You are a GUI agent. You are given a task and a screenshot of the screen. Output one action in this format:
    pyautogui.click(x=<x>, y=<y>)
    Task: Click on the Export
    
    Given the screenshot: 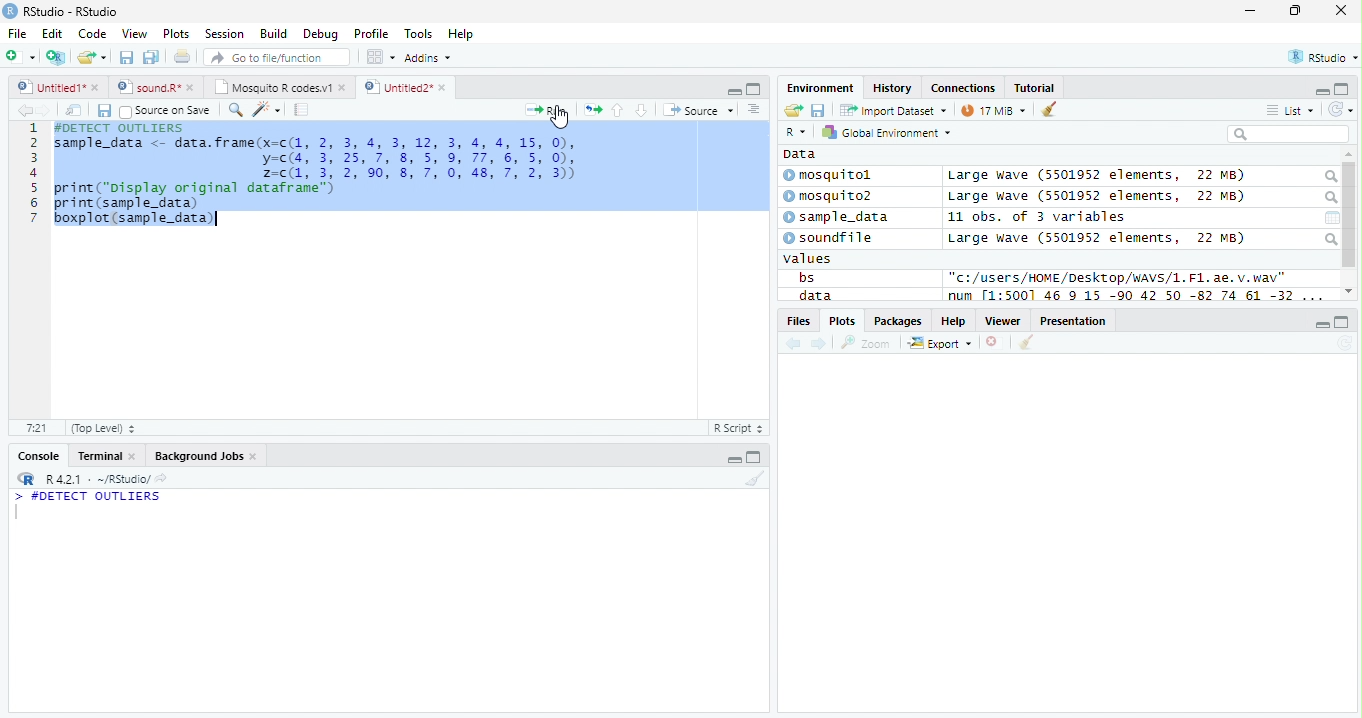 What is the action you would take?
    pyautogui.click(x=940, y=344)
    